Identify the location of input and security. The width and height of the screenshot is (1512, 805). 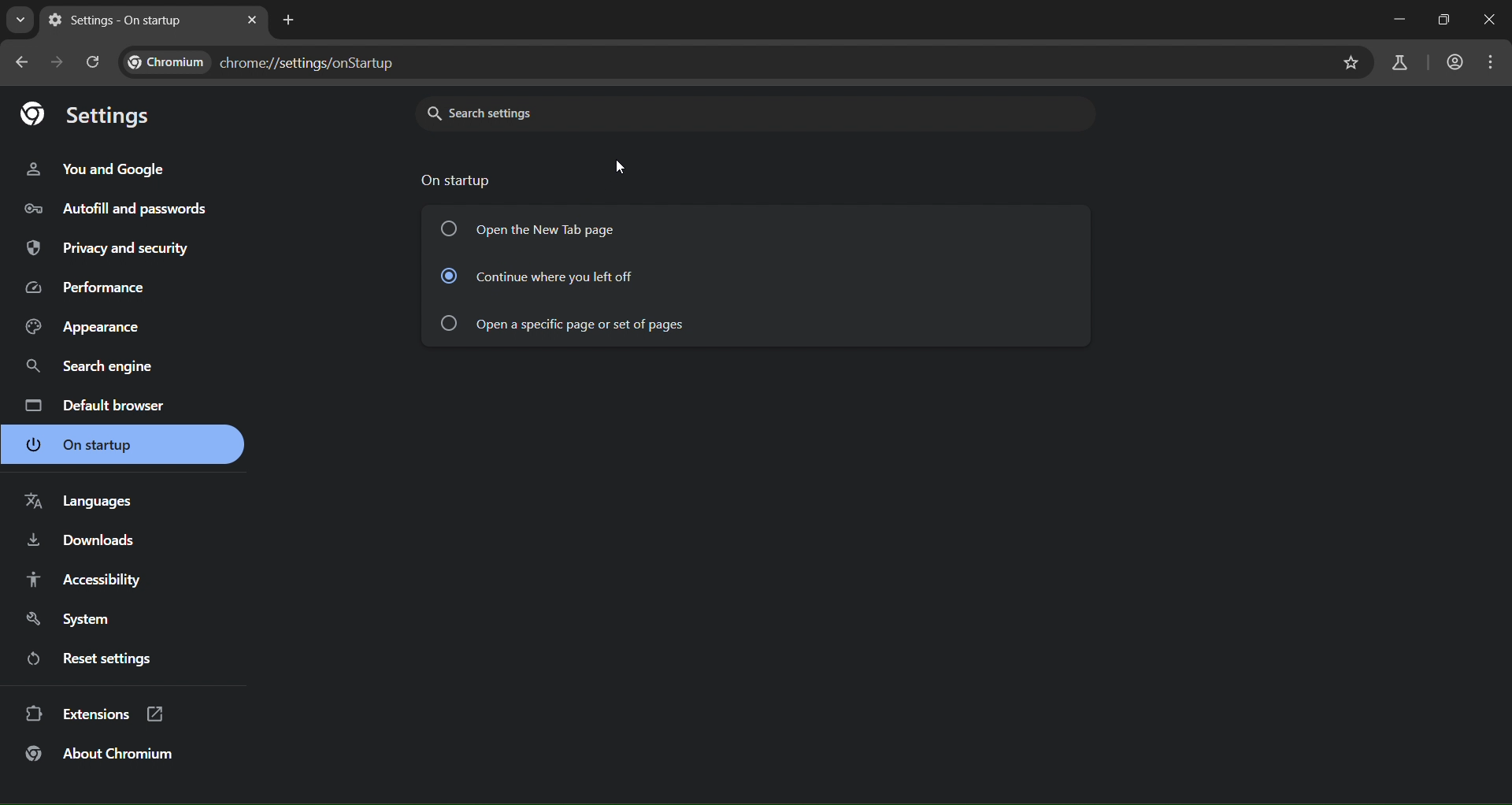
(104, 250).